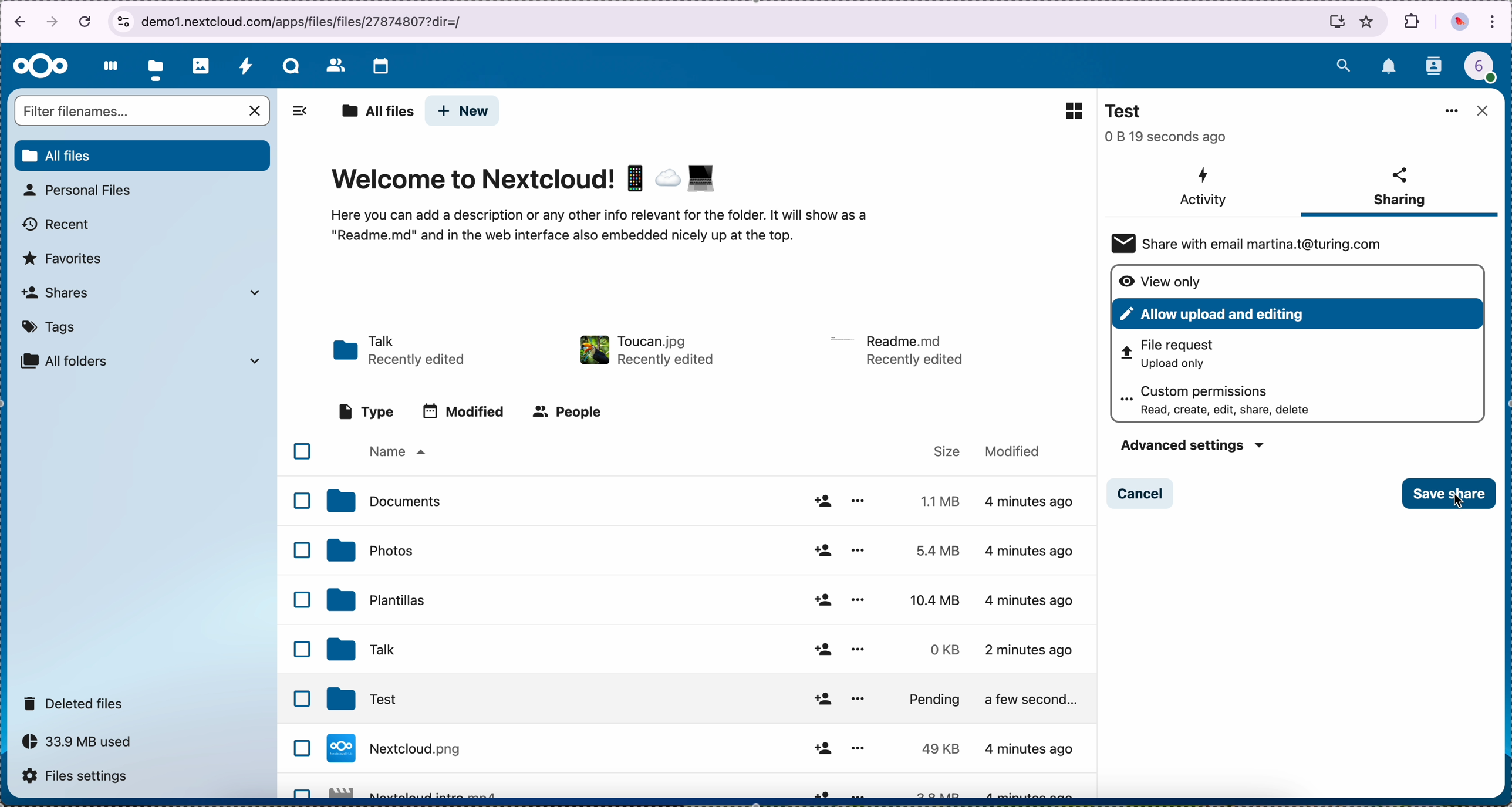  Describe the element at coordinates (1343, 63) in the screenshot. I see `search` at that location.